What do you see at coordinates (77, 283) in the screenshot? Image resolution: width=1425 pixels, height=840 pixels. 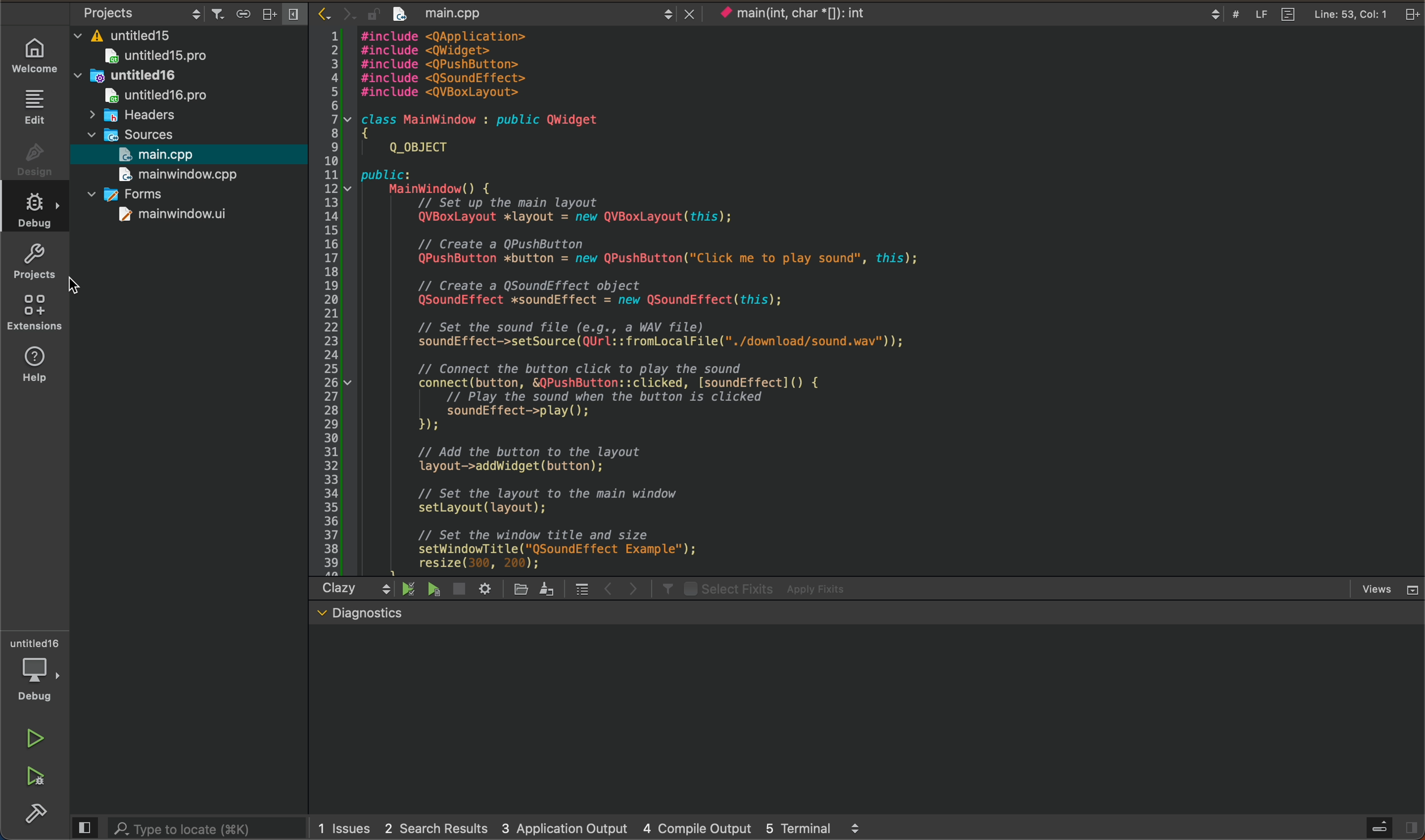 I see `cursor` at bounding box center [77, 283].